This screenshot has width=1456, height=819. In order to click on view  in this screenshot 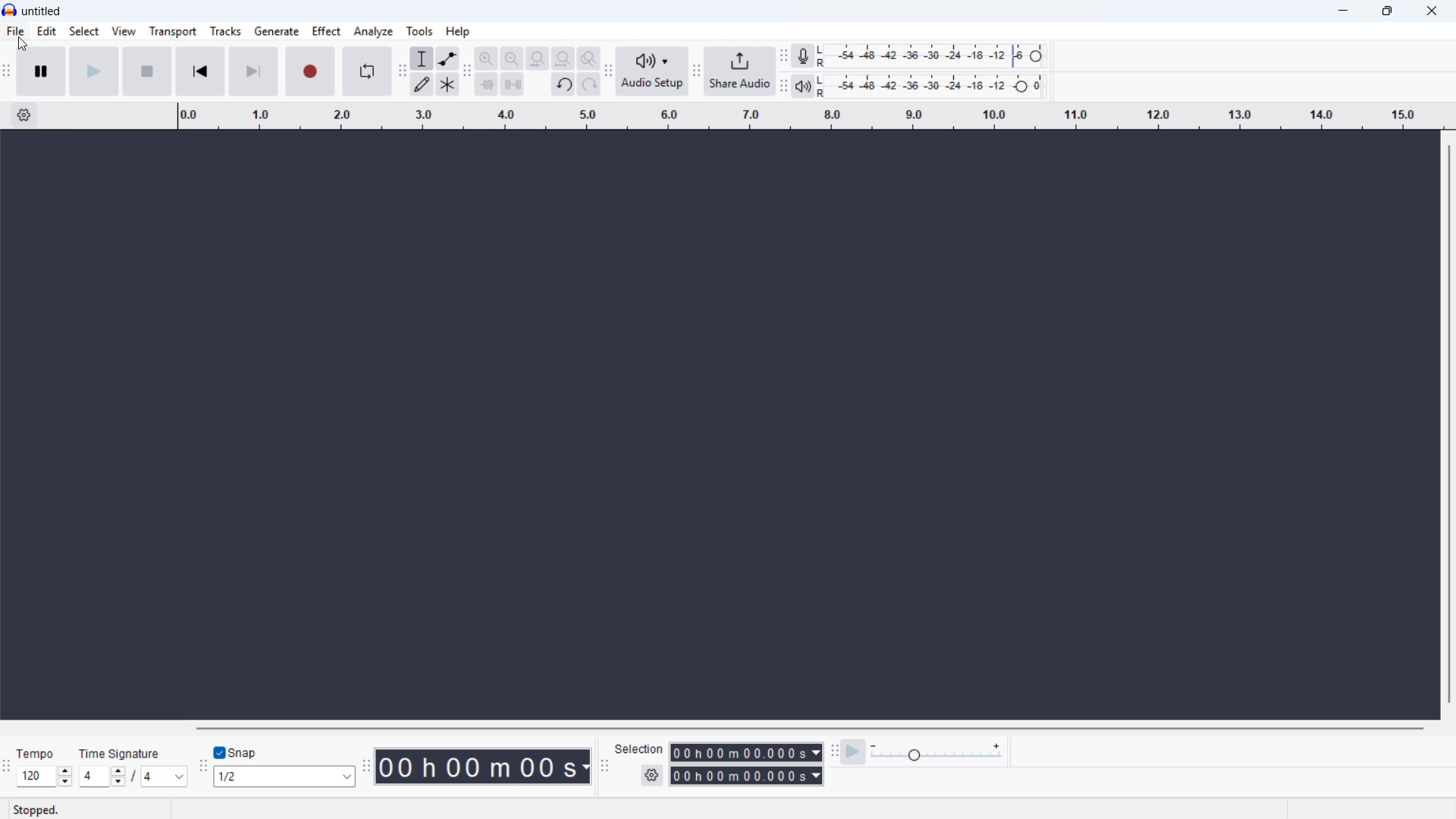, I will do `click(124, 31)`.